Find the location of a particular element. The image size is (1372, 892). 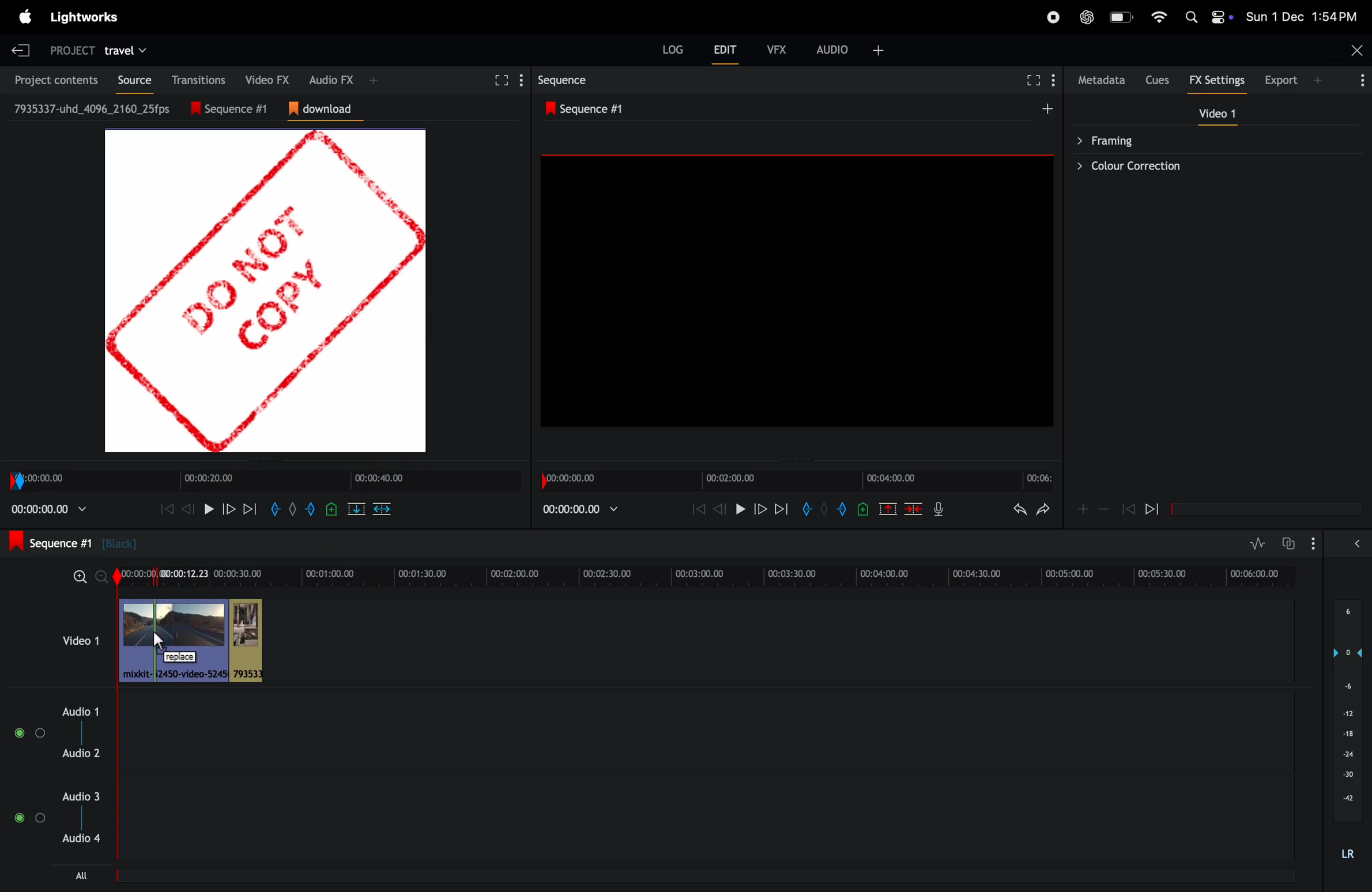

wifi is located at coordinates (1159, 17).